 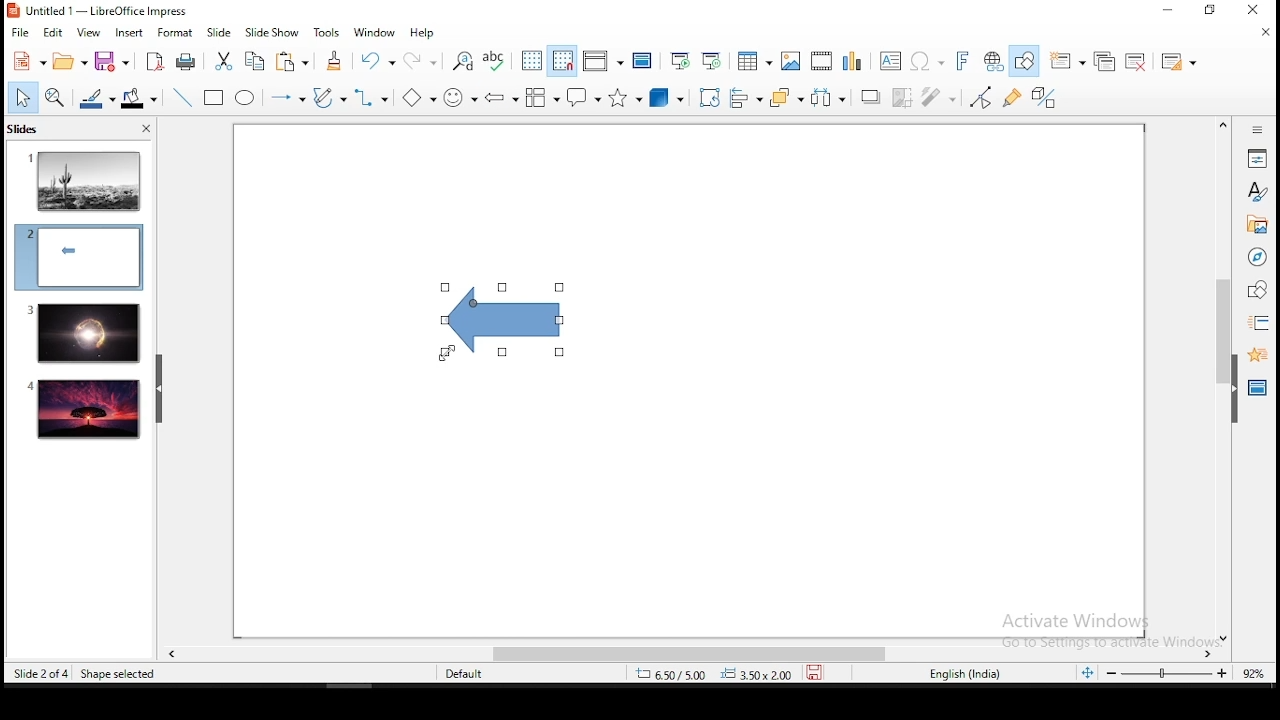 What do you see at coordinates (138, 100) in the screenshot?
I see `shape fill` at bounding box center [138, 100].